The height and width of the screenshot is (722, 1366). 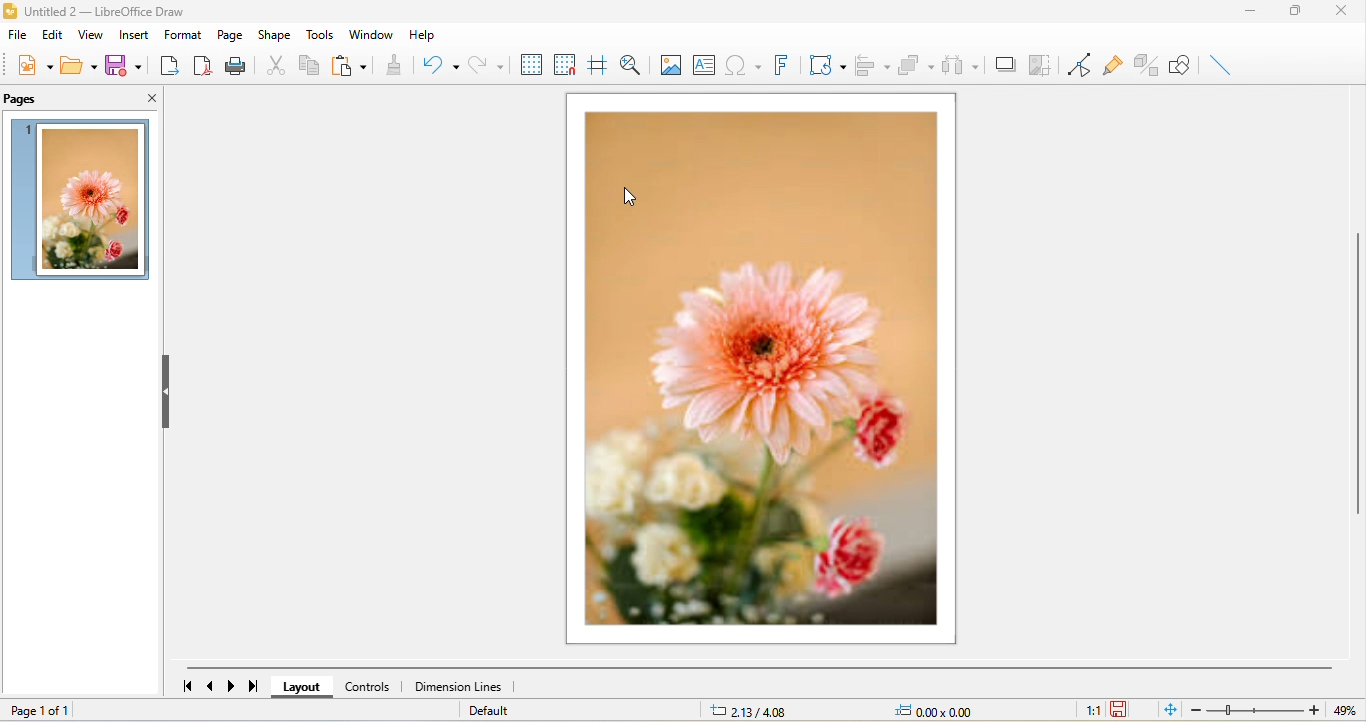 I want to click on insert, so click(x=138, y=33).